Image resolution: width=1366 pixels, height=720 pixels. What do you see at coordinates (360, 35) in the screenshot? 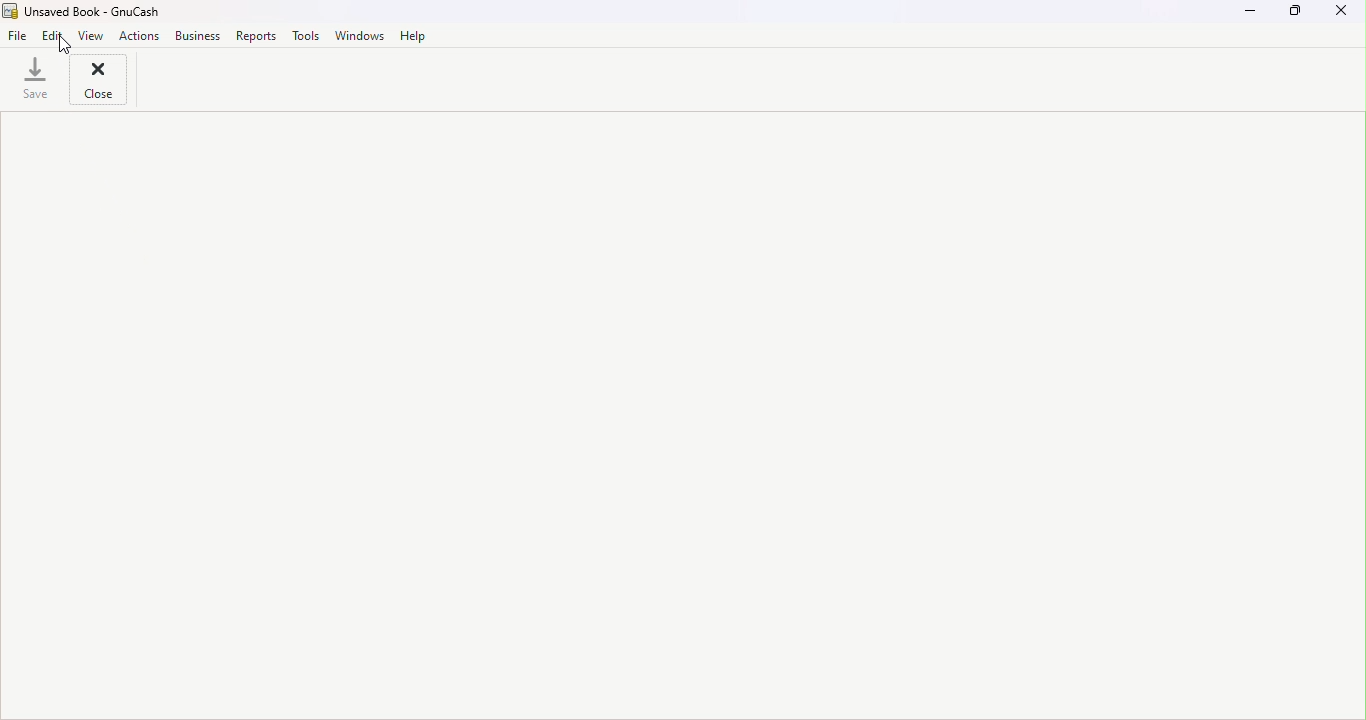
I see `Window` at bounding box center [360, 35].